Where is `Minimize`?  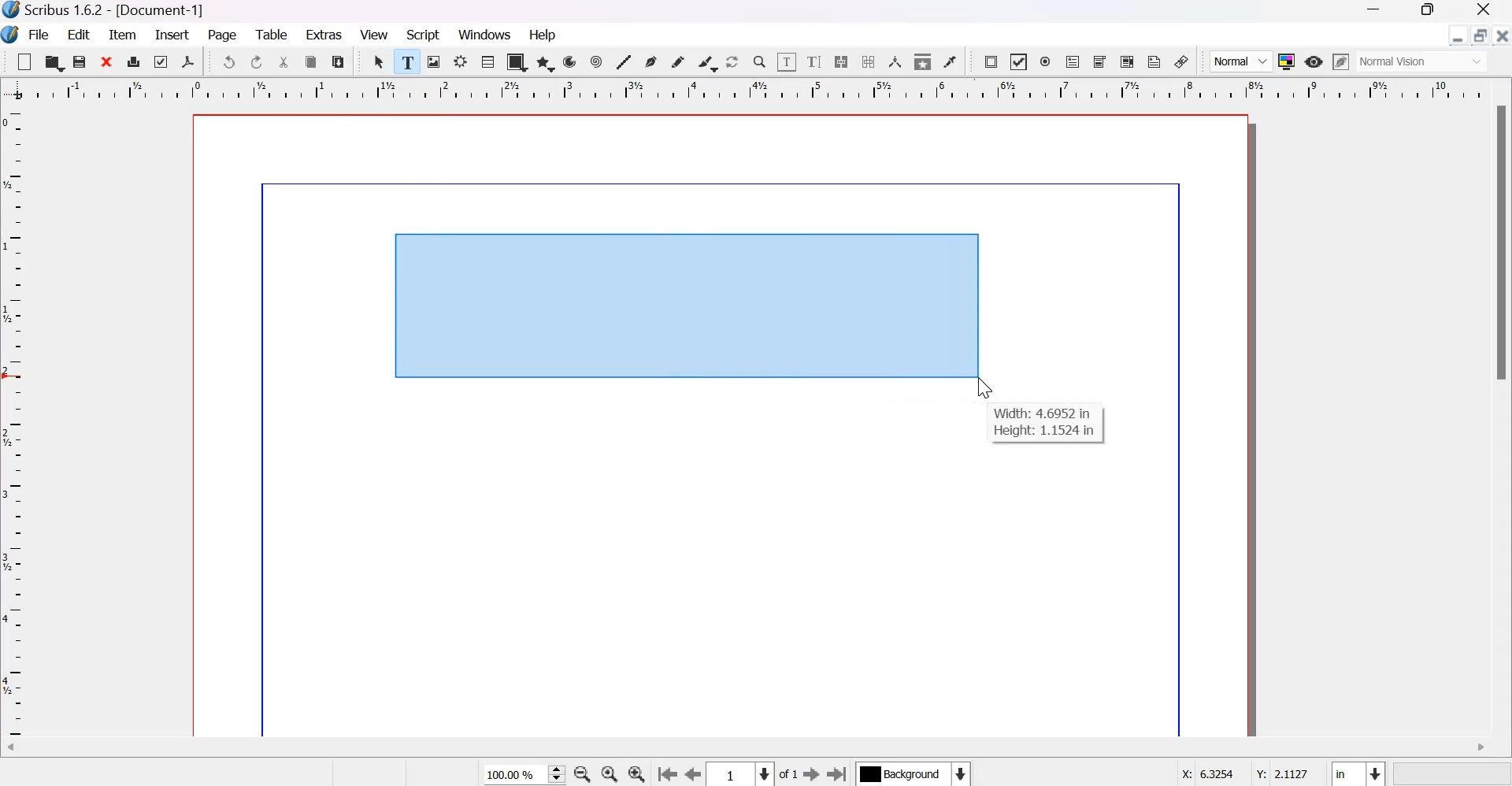 Minimize is located at coordinates (1374, 11).